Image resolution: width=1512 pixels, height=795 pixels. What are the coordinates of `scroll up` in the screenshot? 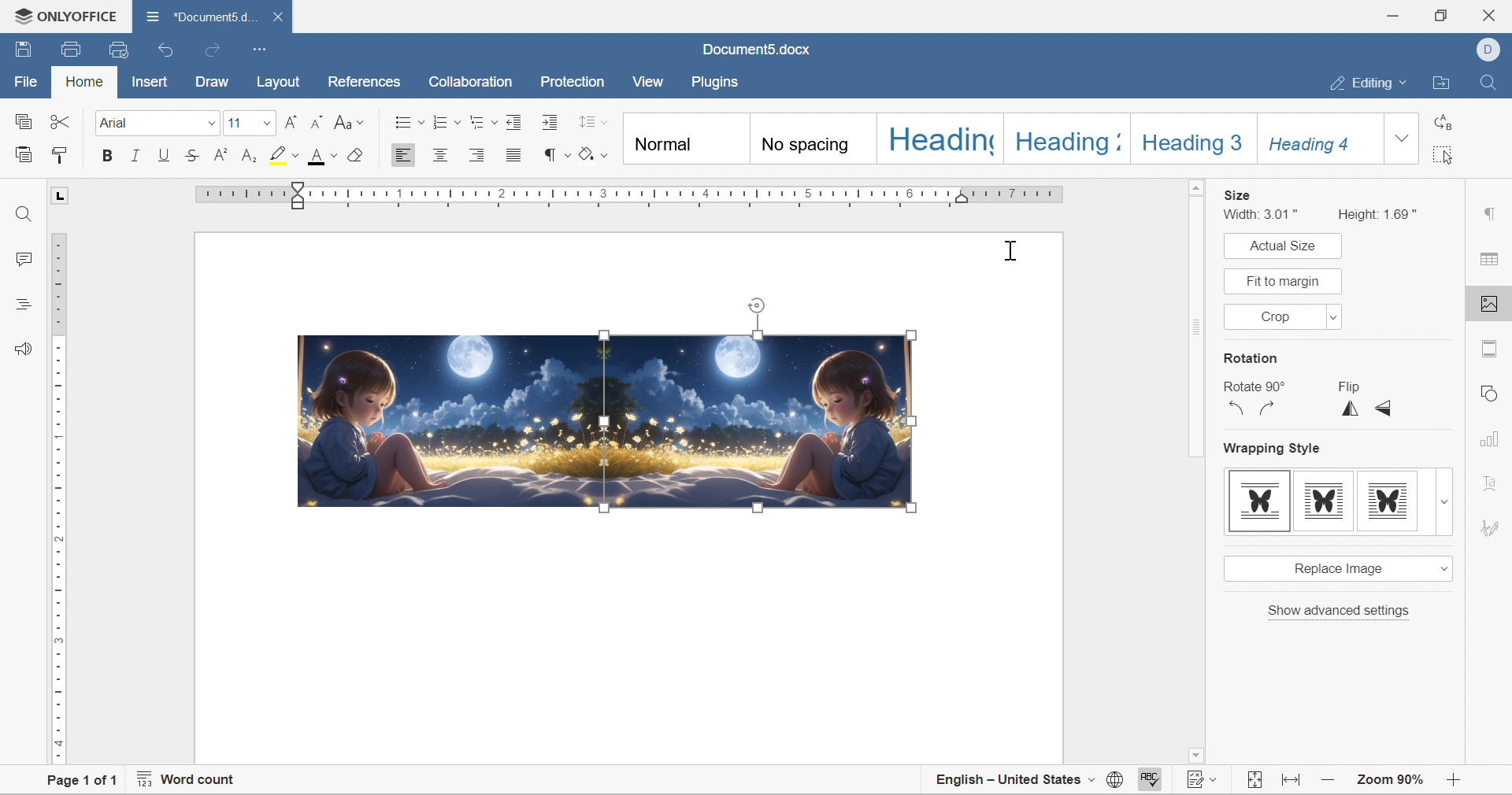 It's located at (1459, 186).